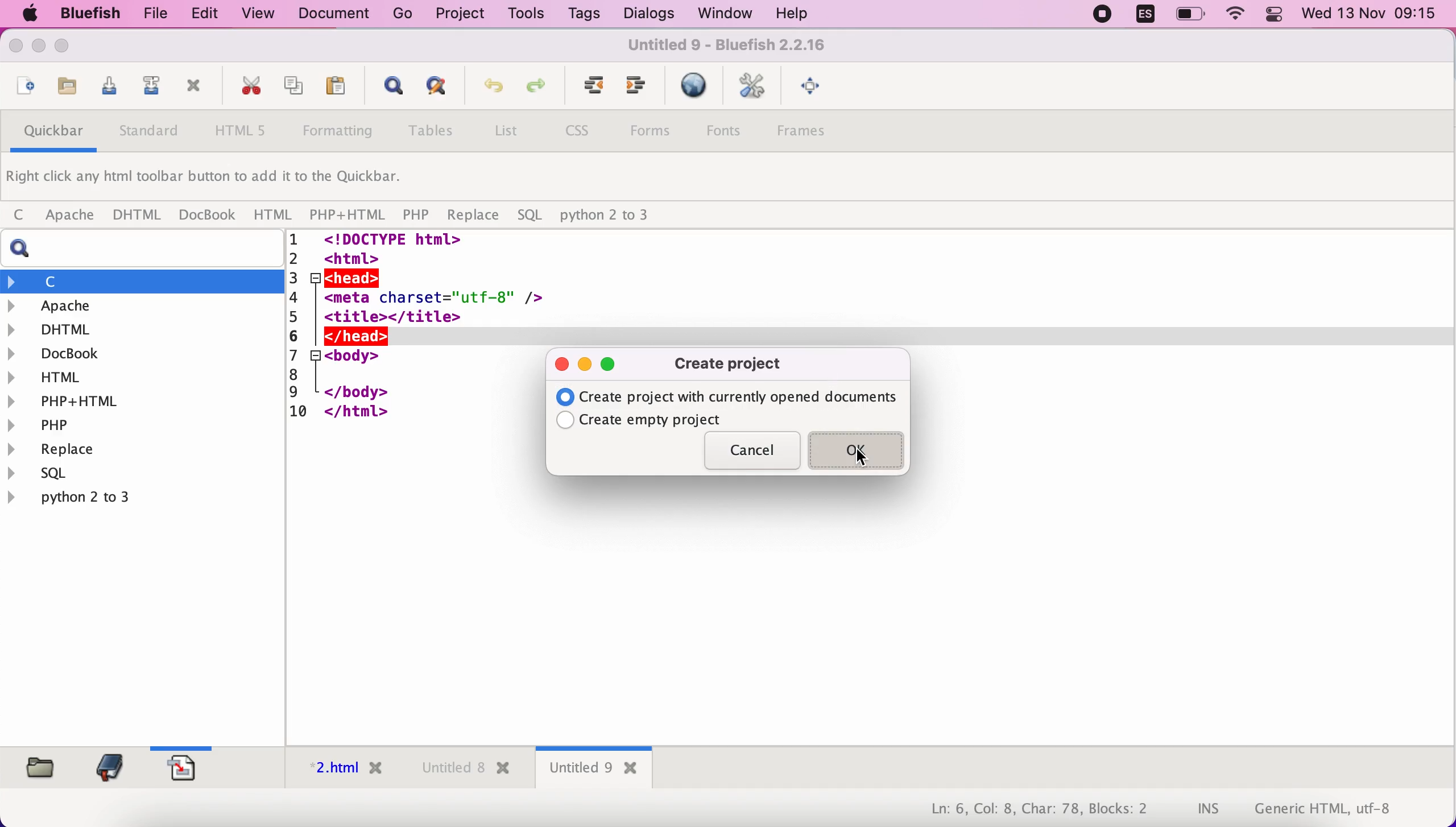 The image size is (1456, 827). What do you see at coordinates (290, 87) in the screenshot?
I see `copy` at bounding box center [290, 87].